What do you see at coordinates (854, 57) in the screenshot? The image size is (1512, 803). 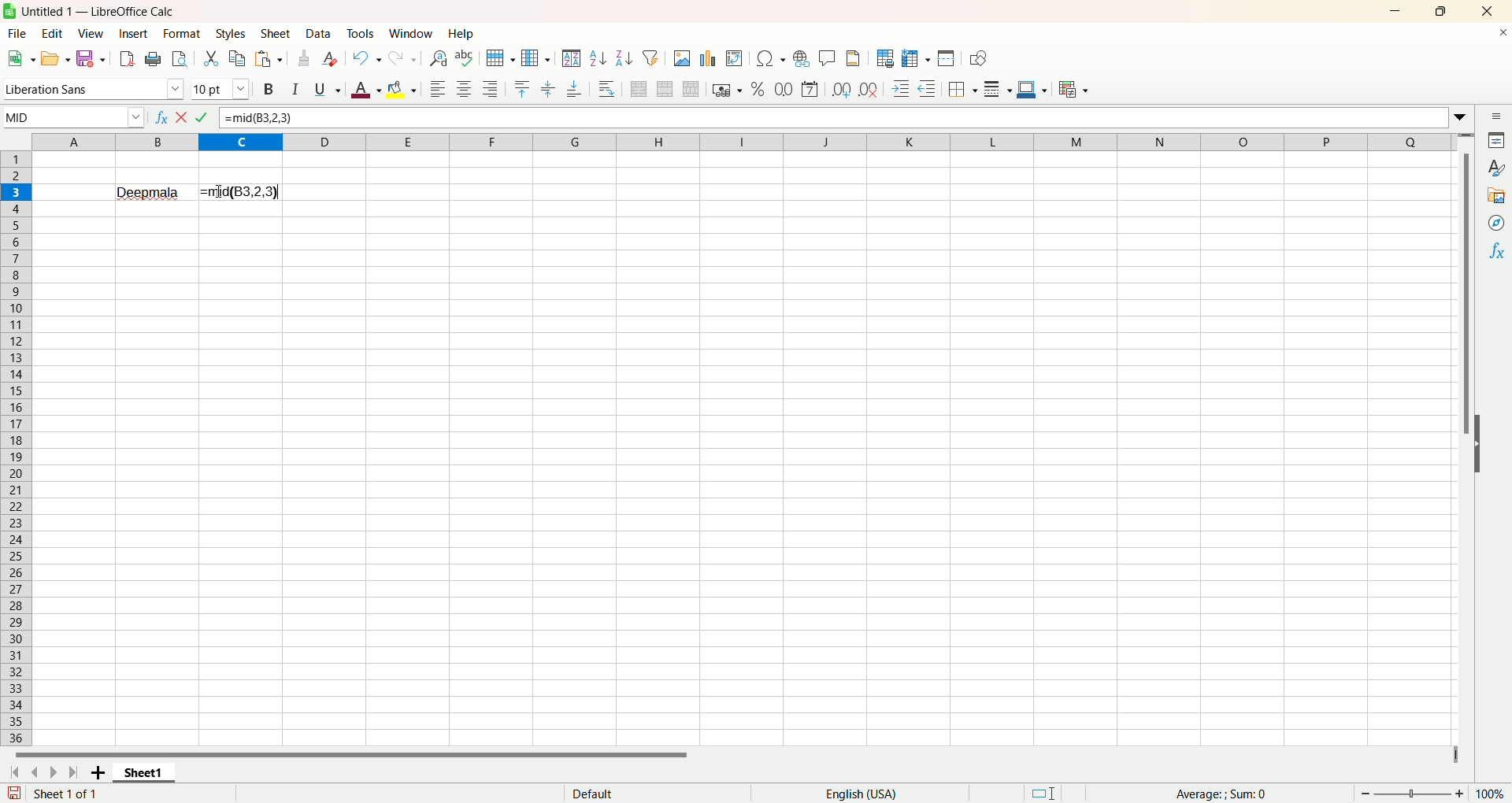 I see `header and footer` at bounding box center [854, 57].